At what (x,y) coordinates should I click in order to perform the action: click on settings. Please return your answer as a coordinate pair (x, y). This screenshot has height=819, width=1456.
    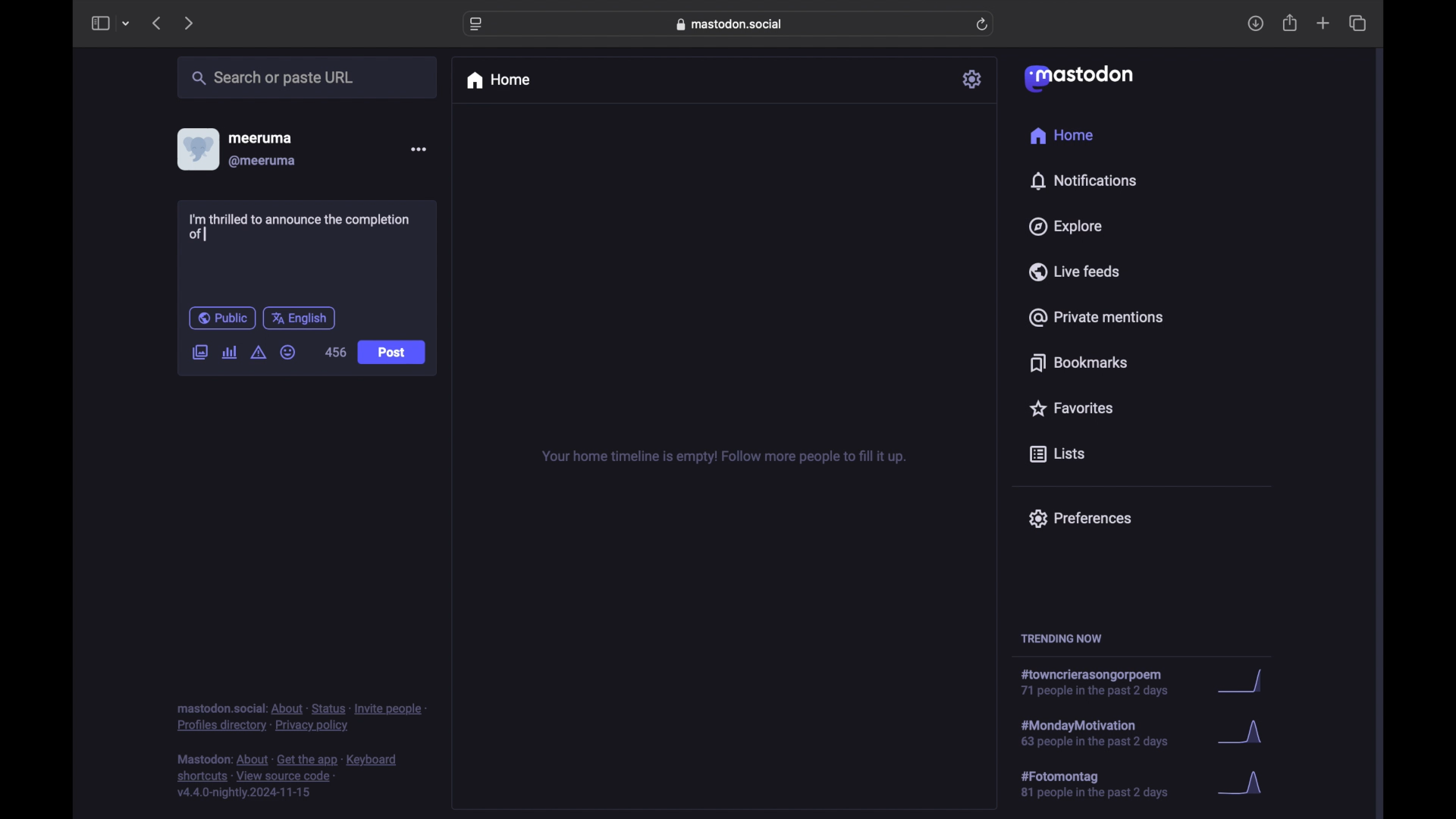
    Looking at the image, I should click on (973, 79).